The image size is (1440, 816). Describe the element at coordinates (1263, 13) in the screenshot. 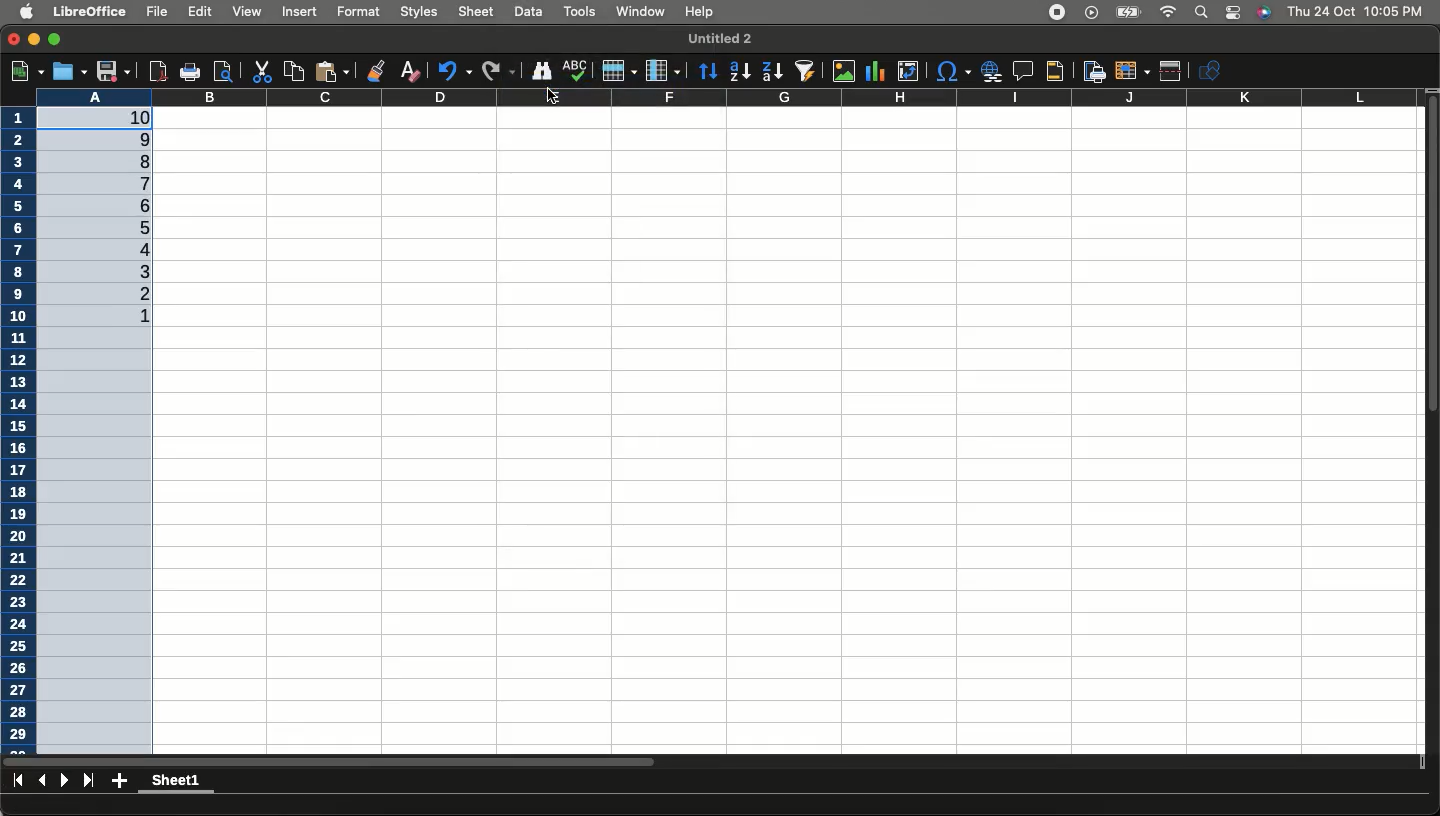

I see `Voice control` at that location.